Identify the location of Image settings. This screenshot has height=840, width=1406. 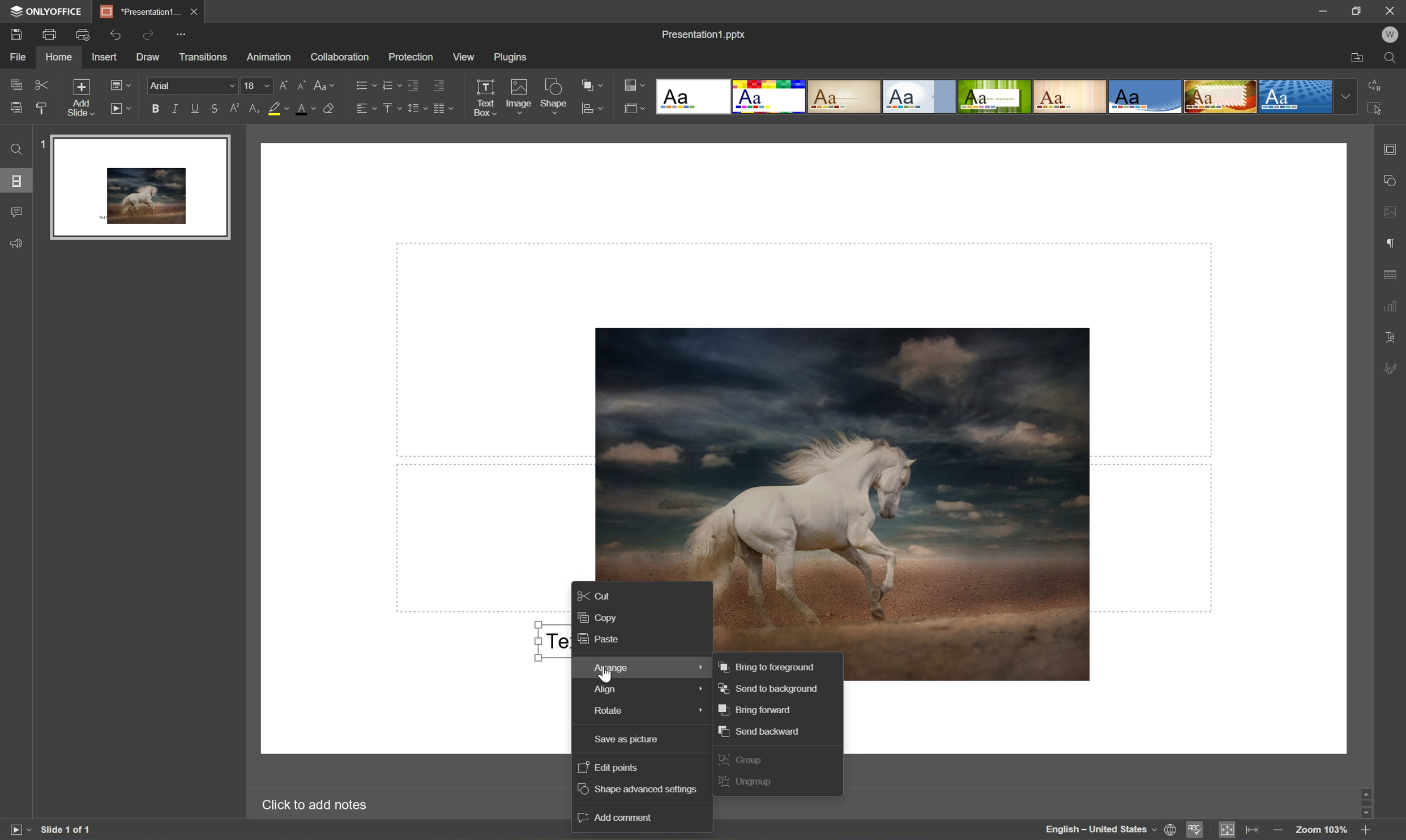
(1394, 213).